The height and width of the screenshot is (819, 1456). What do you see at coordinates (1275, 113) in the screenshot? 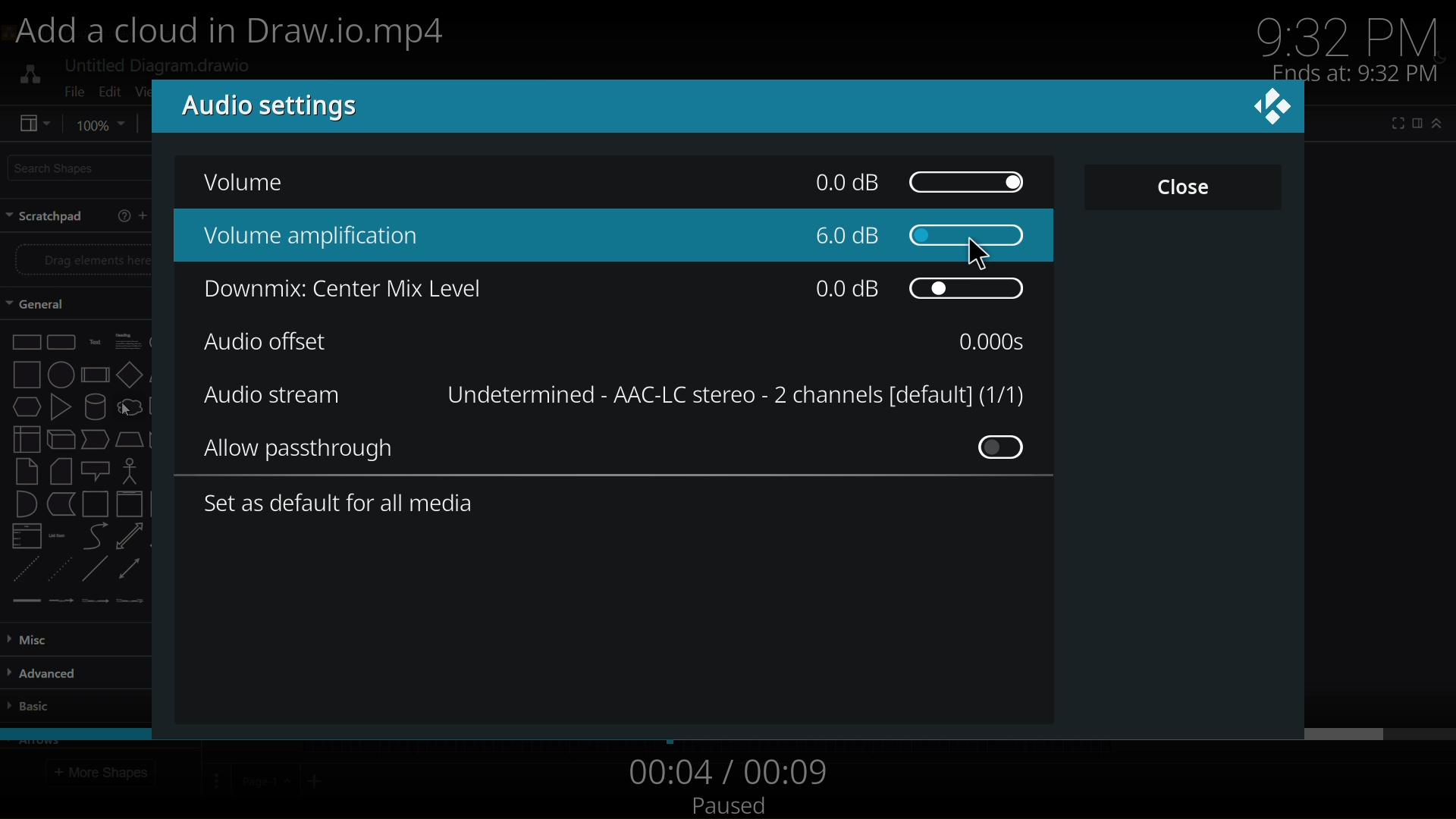
I see `close dialog` at bounding box center [1275, 113].